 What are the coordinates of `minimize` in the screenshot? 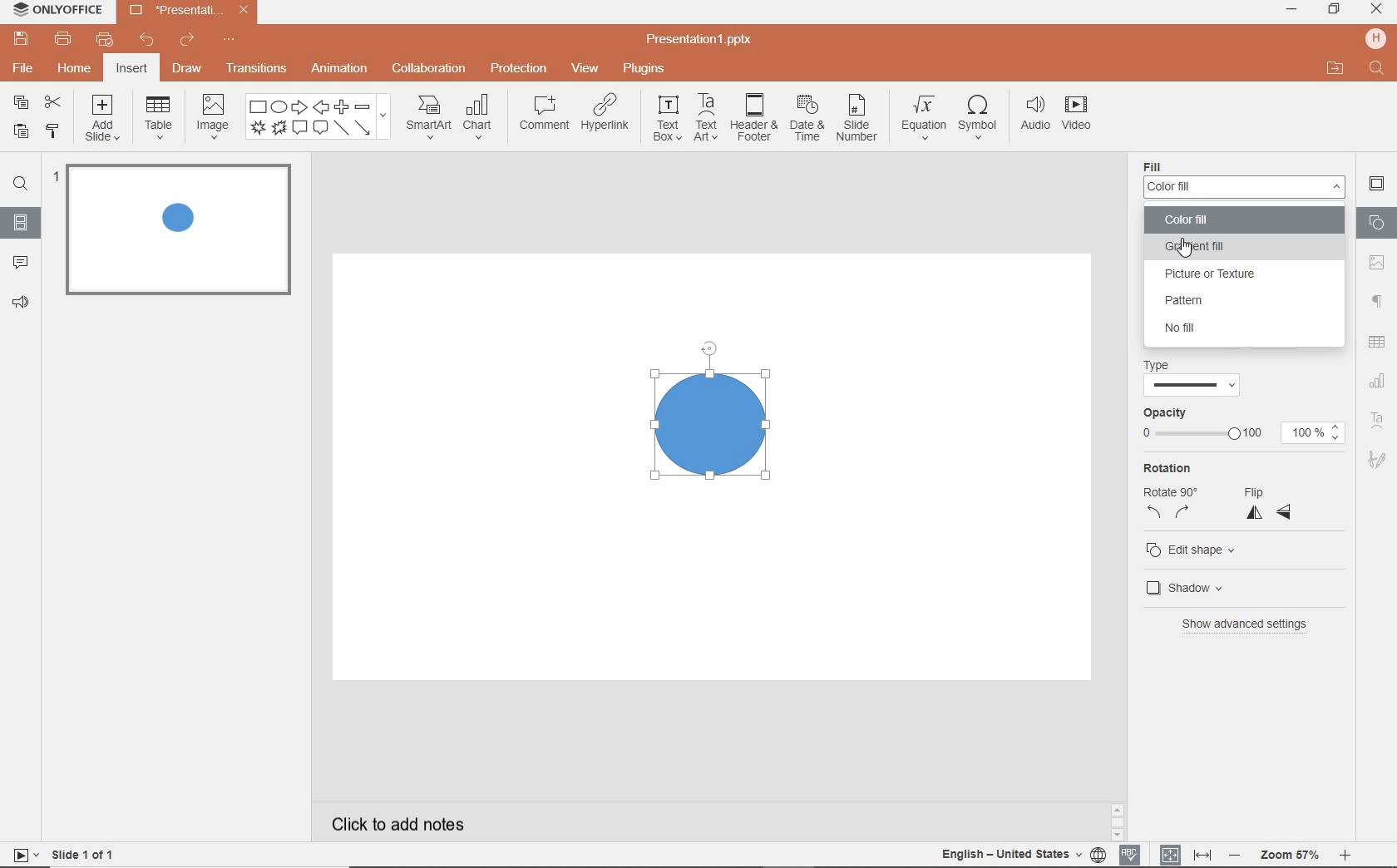 It's located at (1293, 9).